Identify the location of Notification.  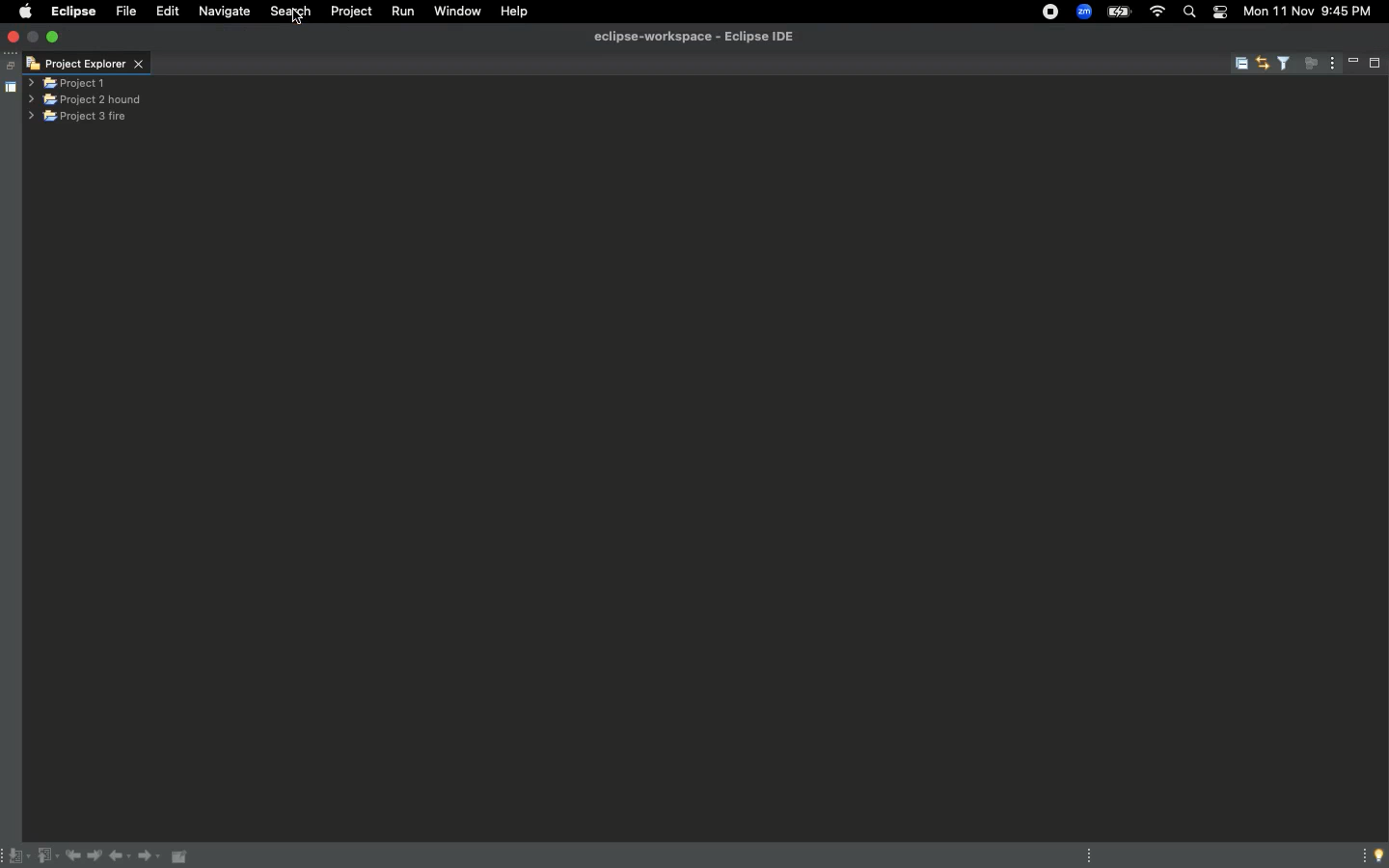
(1218, 14).